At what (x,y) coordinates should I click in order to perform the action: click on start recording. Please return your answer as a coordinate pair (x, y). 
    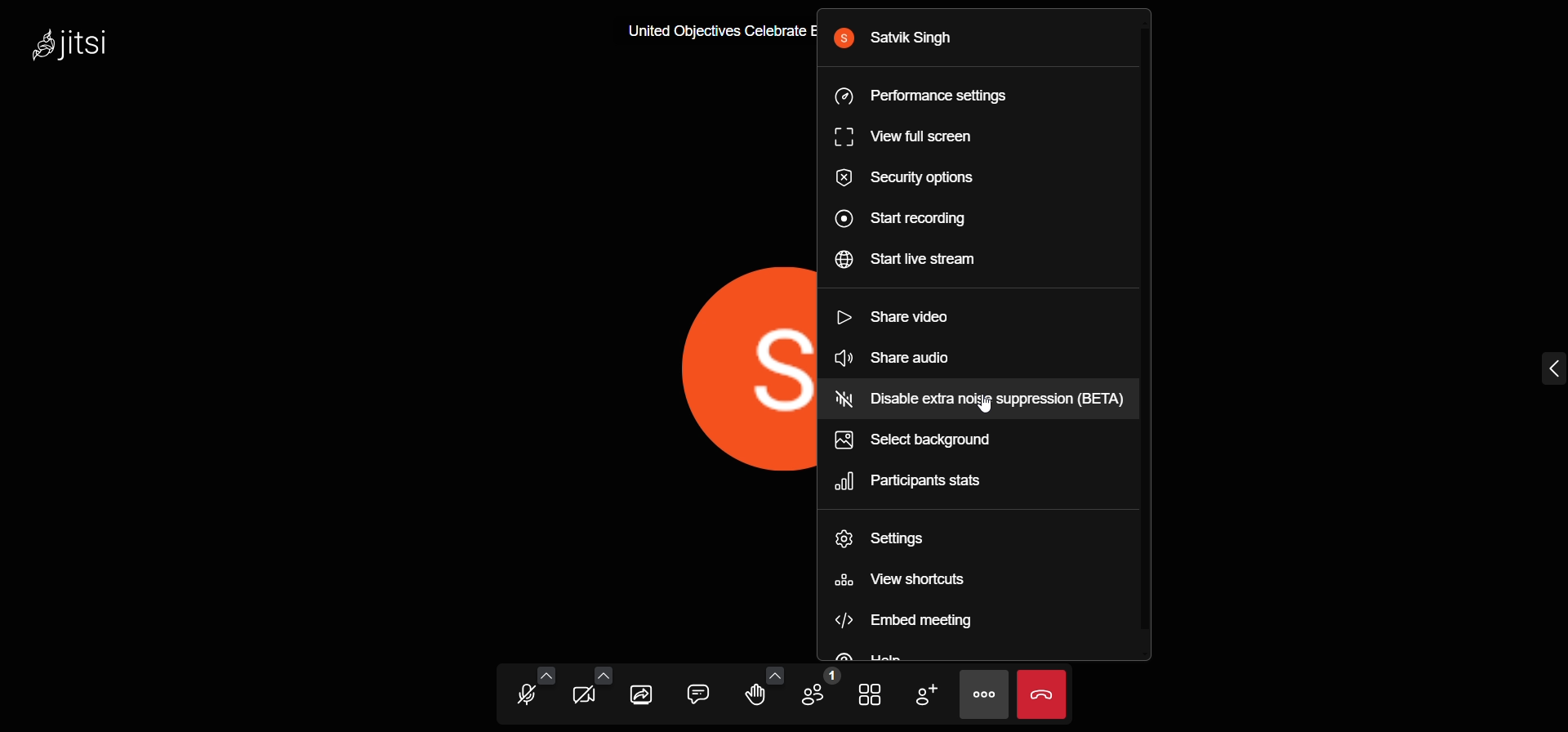
    Looking at the image, I should click on (906, 220).